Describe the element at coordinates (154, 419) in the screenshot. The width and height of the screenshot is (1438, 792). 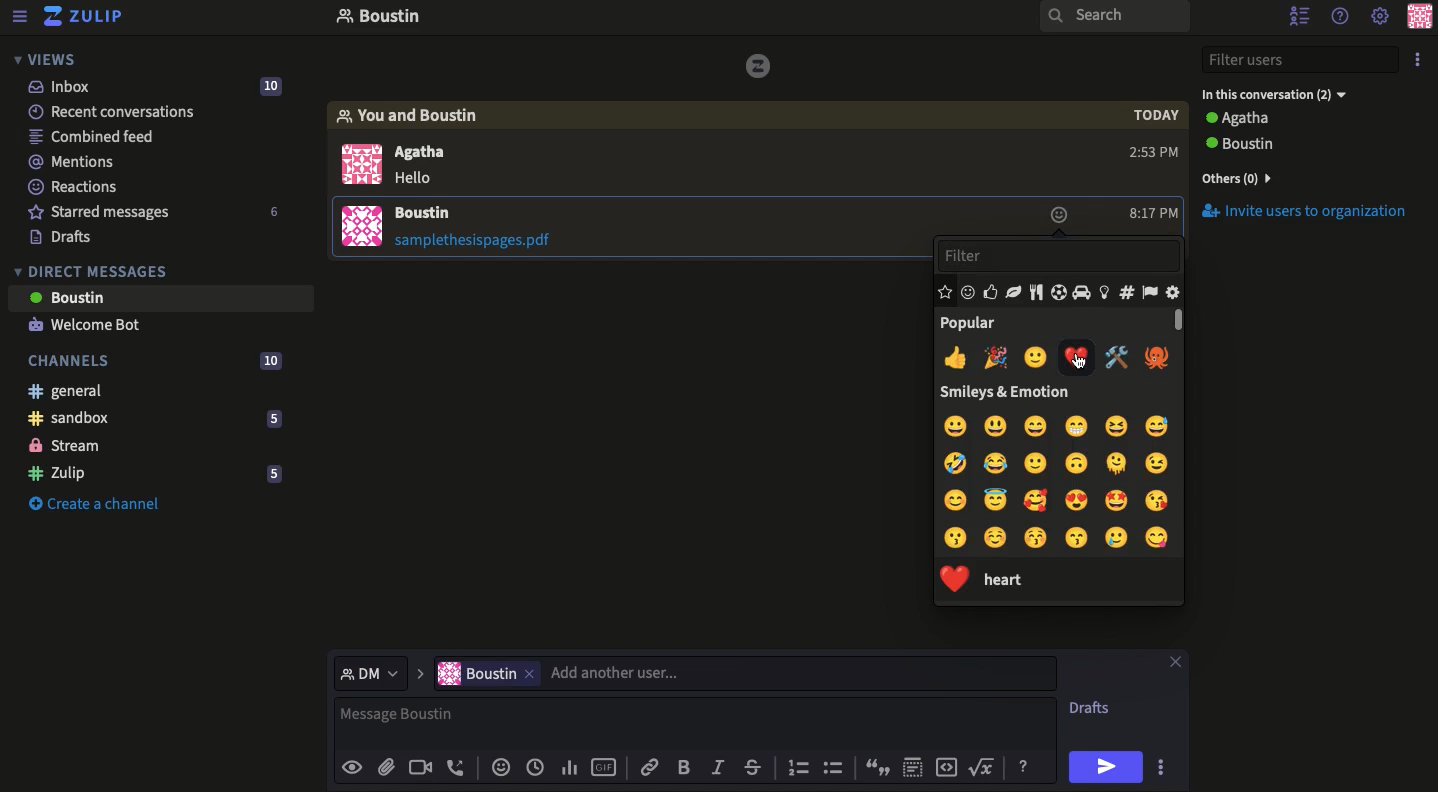
I see `Sandbox` at that location.